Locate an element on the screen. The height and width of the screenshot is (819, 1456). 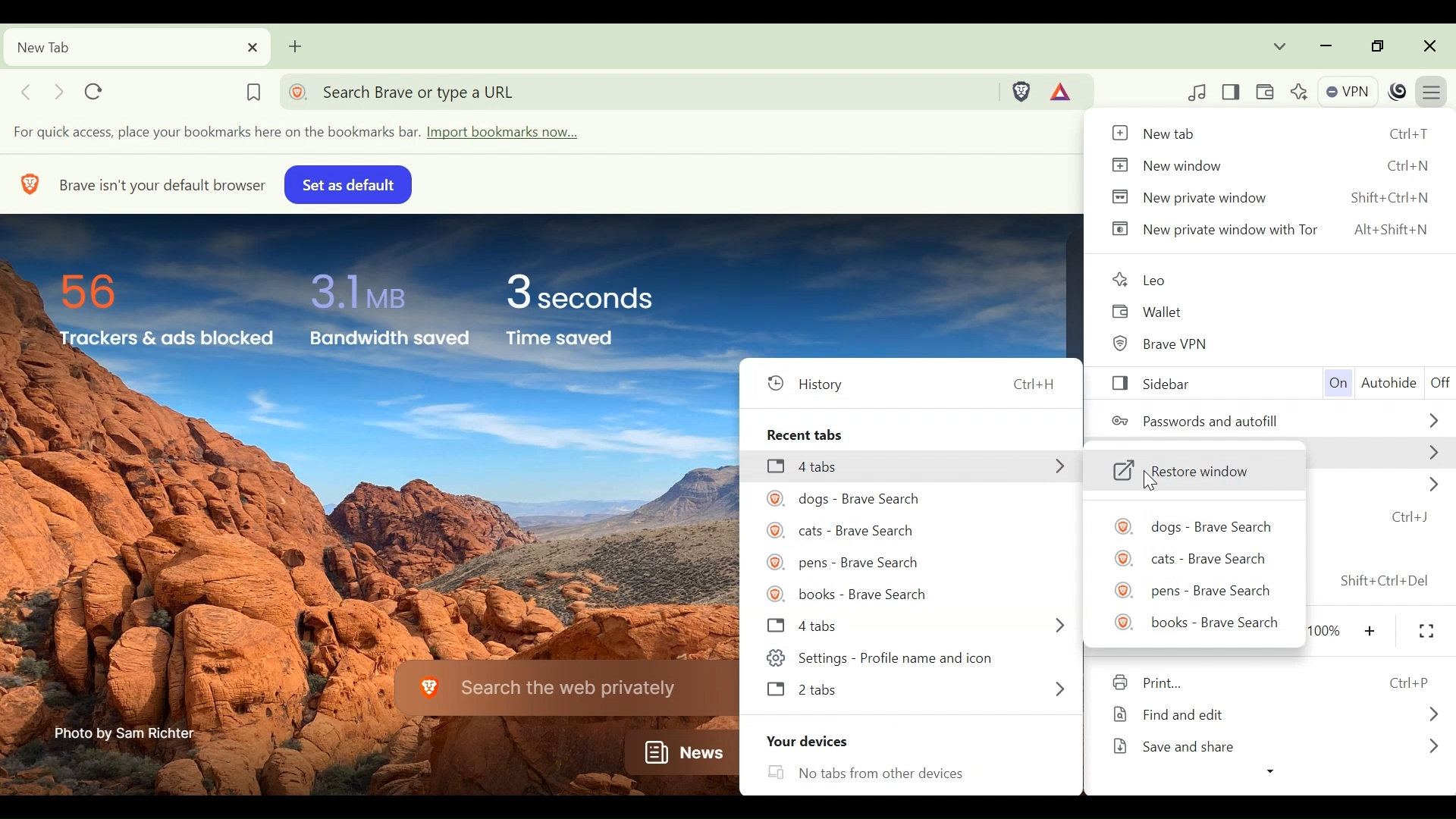
Customize and control Brave is located at coordinates (1435, 89).